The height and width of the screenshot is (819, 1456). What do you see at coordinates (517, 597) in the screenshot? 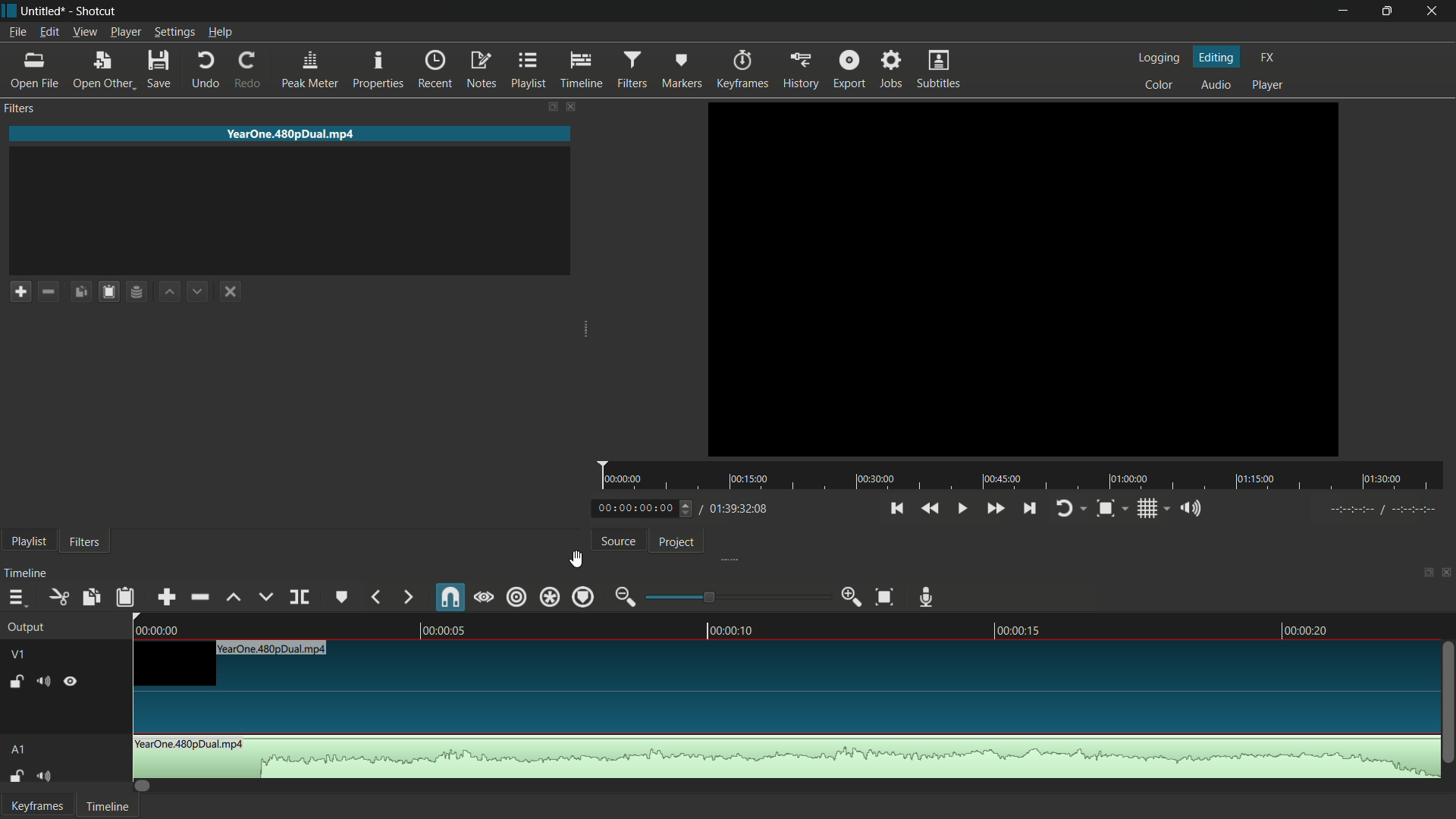
I see `ripple` at bounding box center [517, 597].